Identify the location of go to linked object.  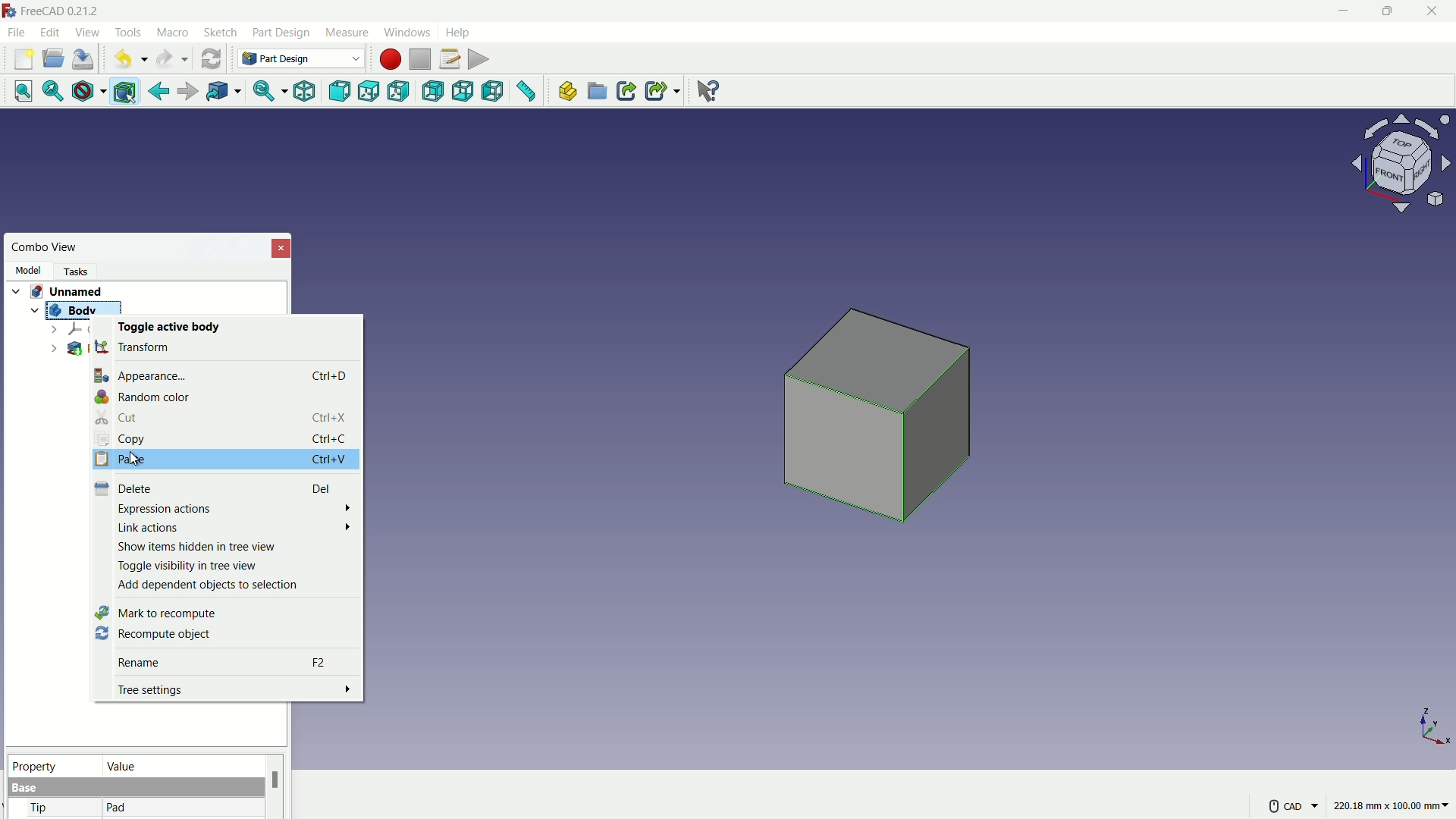
(222, 93).